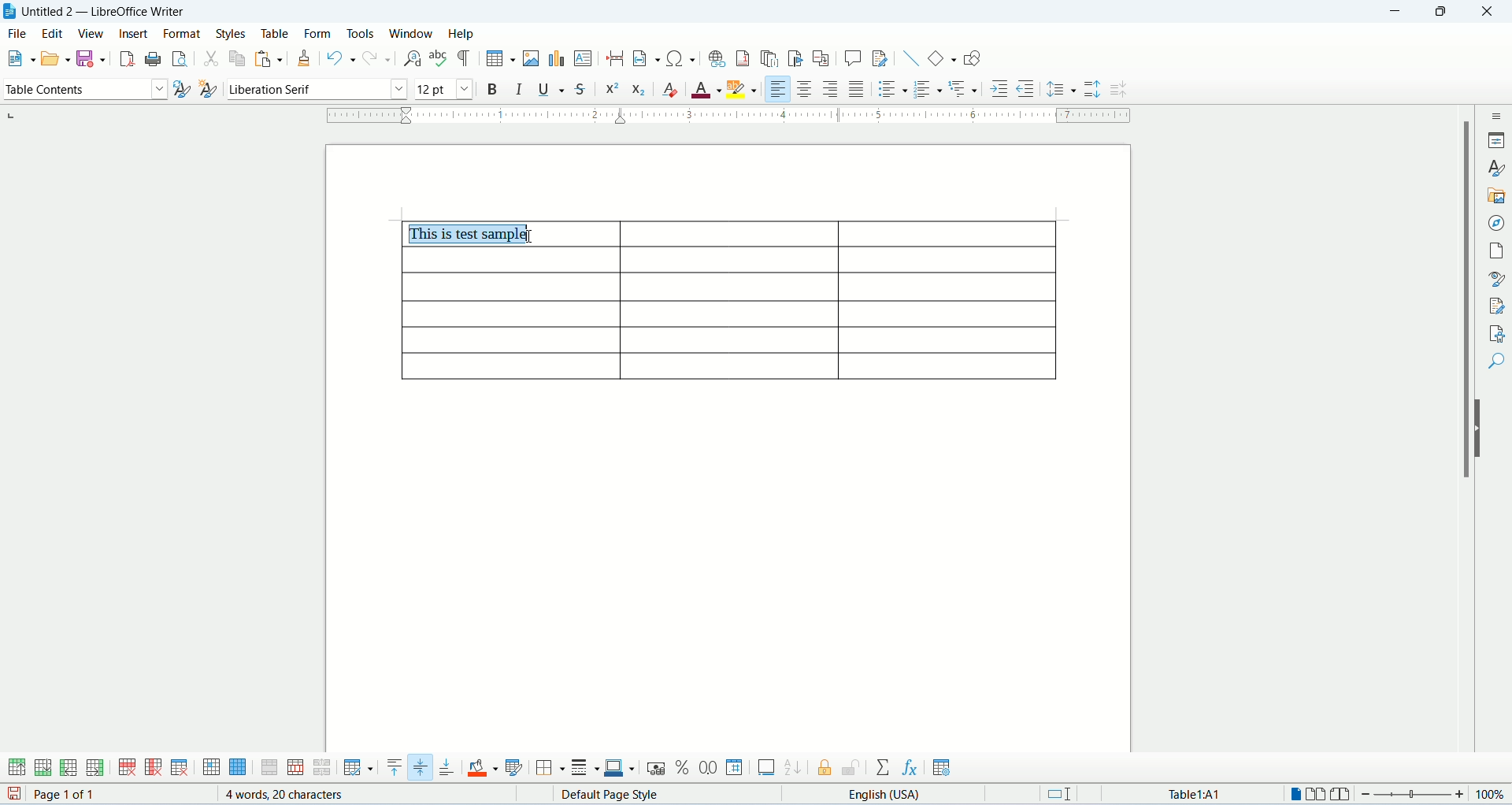 The image size is (1512, 805). What do you see at coordinates (111, 10) in the screenshot?
I see `document name` at bounding box center [111, 10].